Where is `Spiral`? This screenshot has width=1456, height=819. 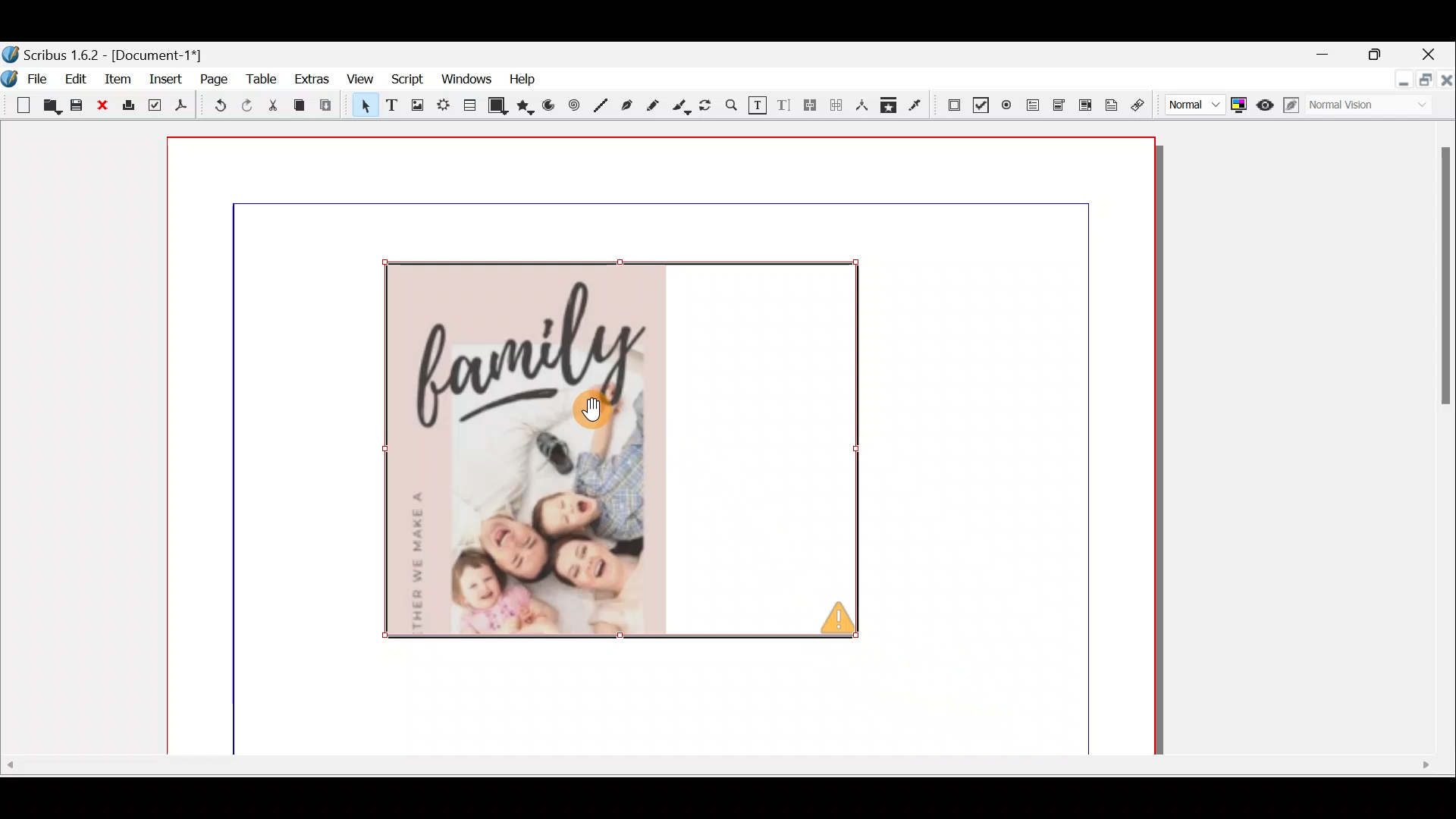 Spiral is located at coordinates (572, 104).